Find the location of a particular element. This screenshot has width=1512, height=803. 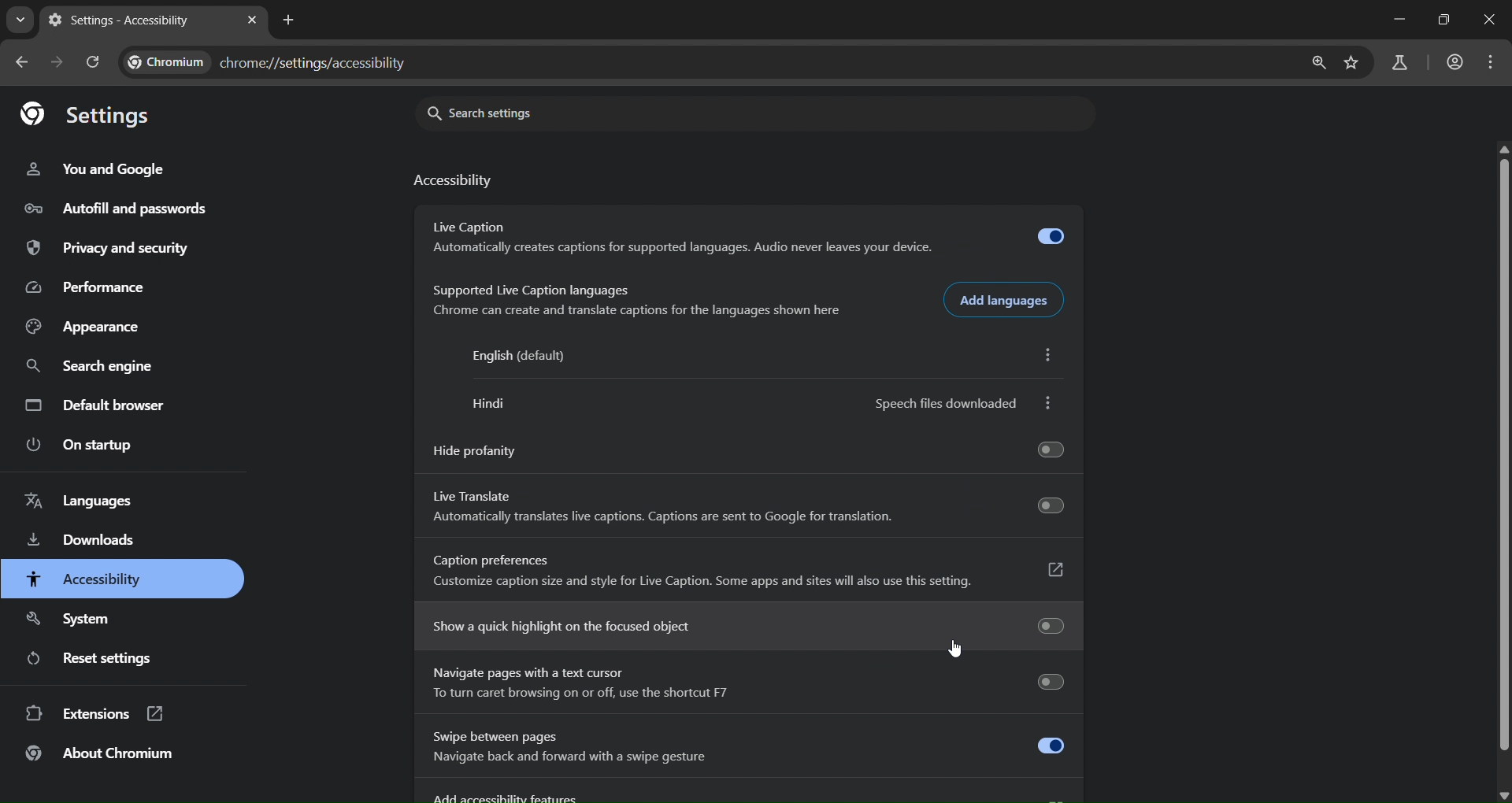

Chromium is located at coordinates (168, 62).